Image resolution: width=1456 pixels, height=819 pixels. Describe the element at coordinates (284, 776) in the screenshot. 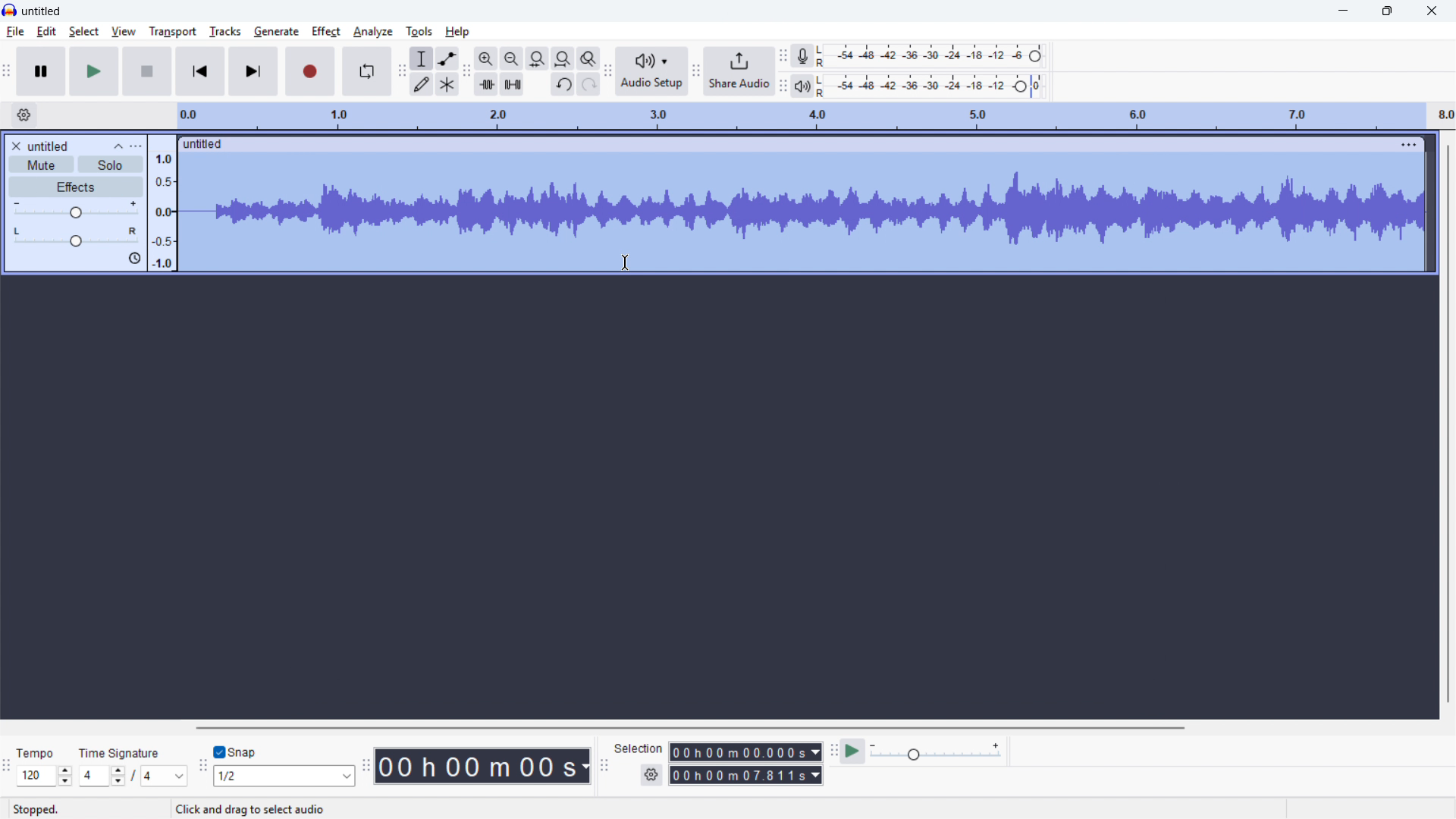

I see `Set snapping ` at that location.